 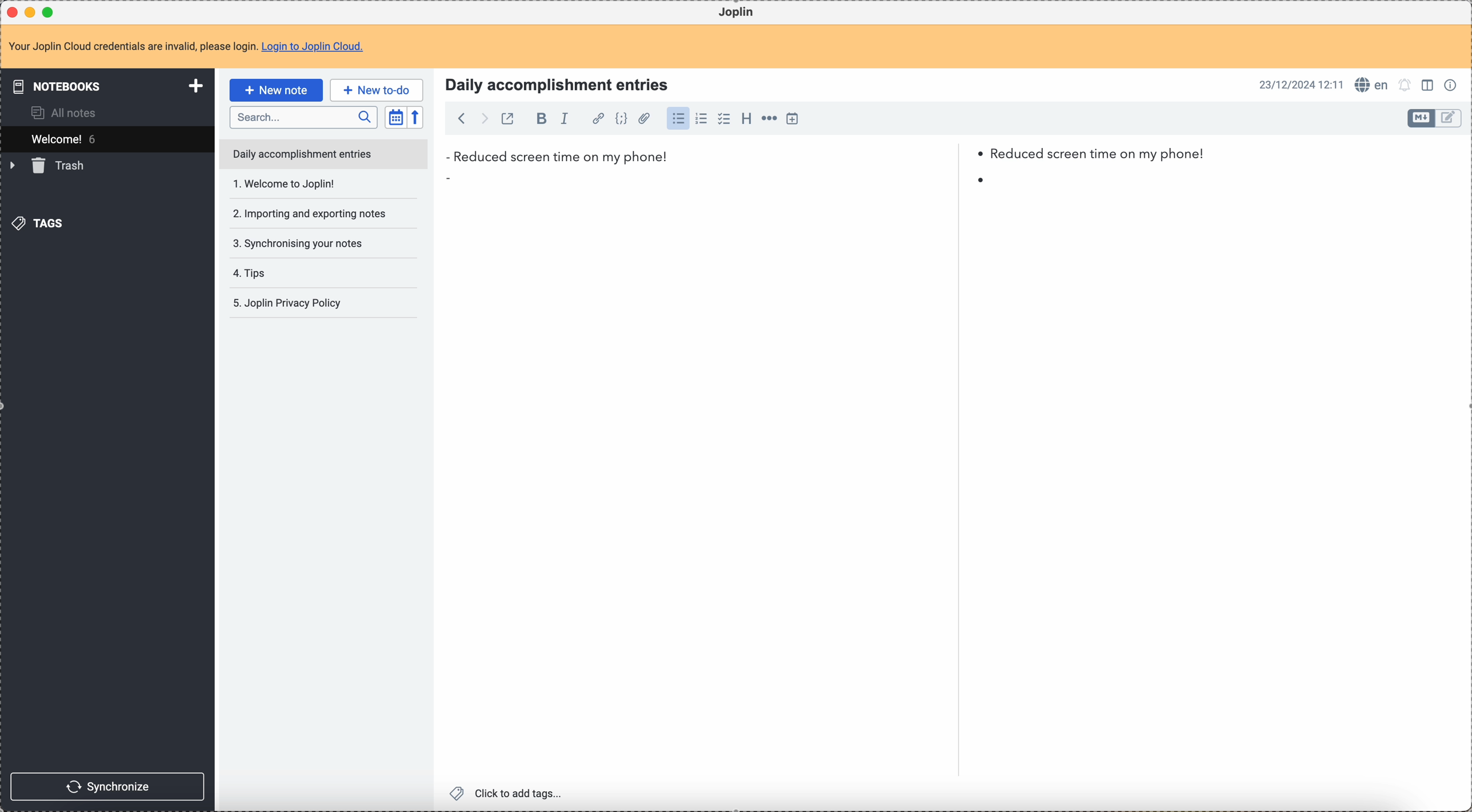 What do you see at coordinates (598, 119) in the screenshot?
I see `hyperlink` at bounding box center [598, 119].